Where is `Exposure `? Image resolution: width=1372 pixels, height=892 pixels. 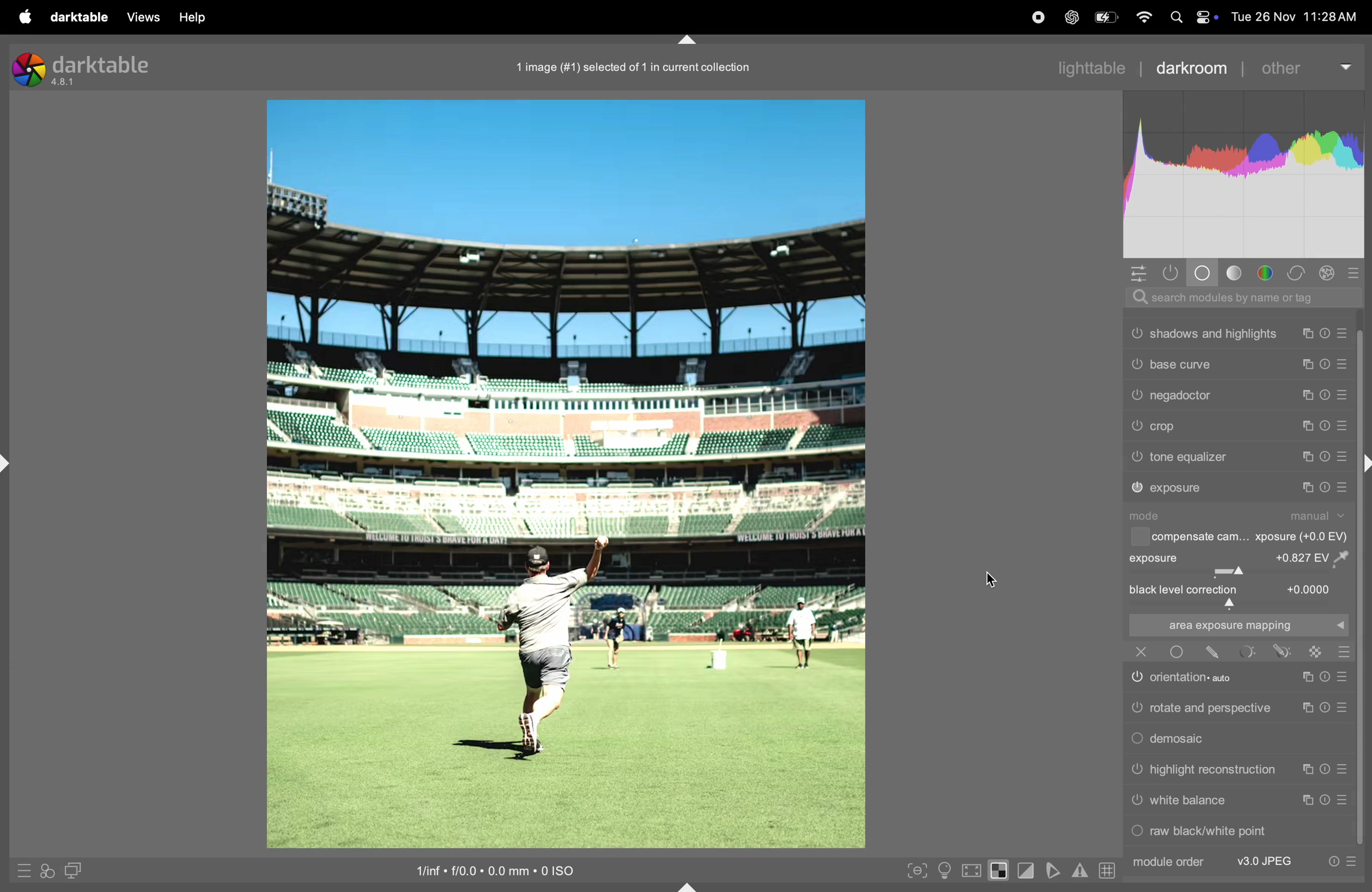 Exposure  is located at coordinates (1155, 558).